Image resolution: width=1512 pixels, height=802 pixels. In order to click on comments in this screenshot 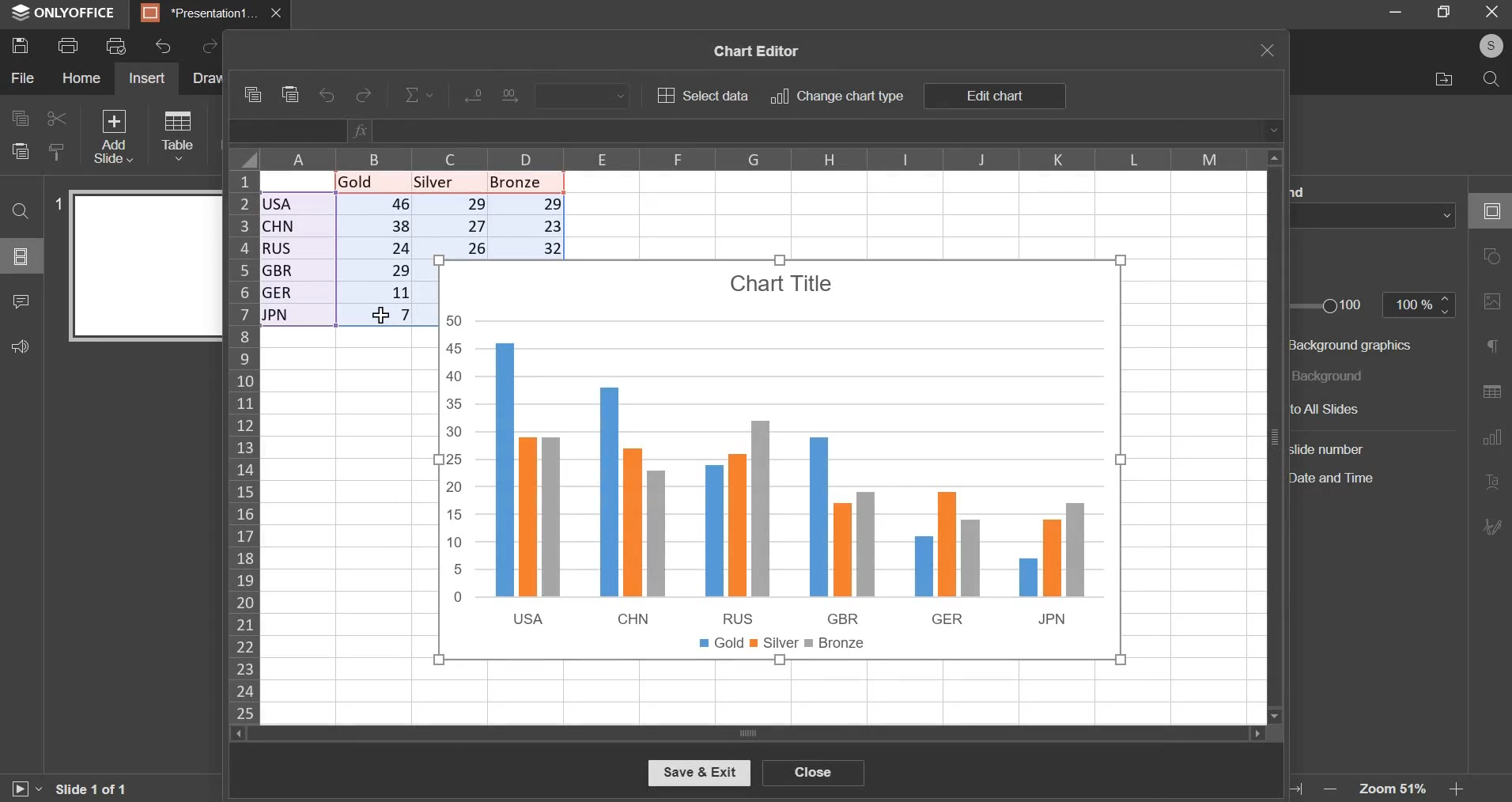, I will do `click(20, 301)`.